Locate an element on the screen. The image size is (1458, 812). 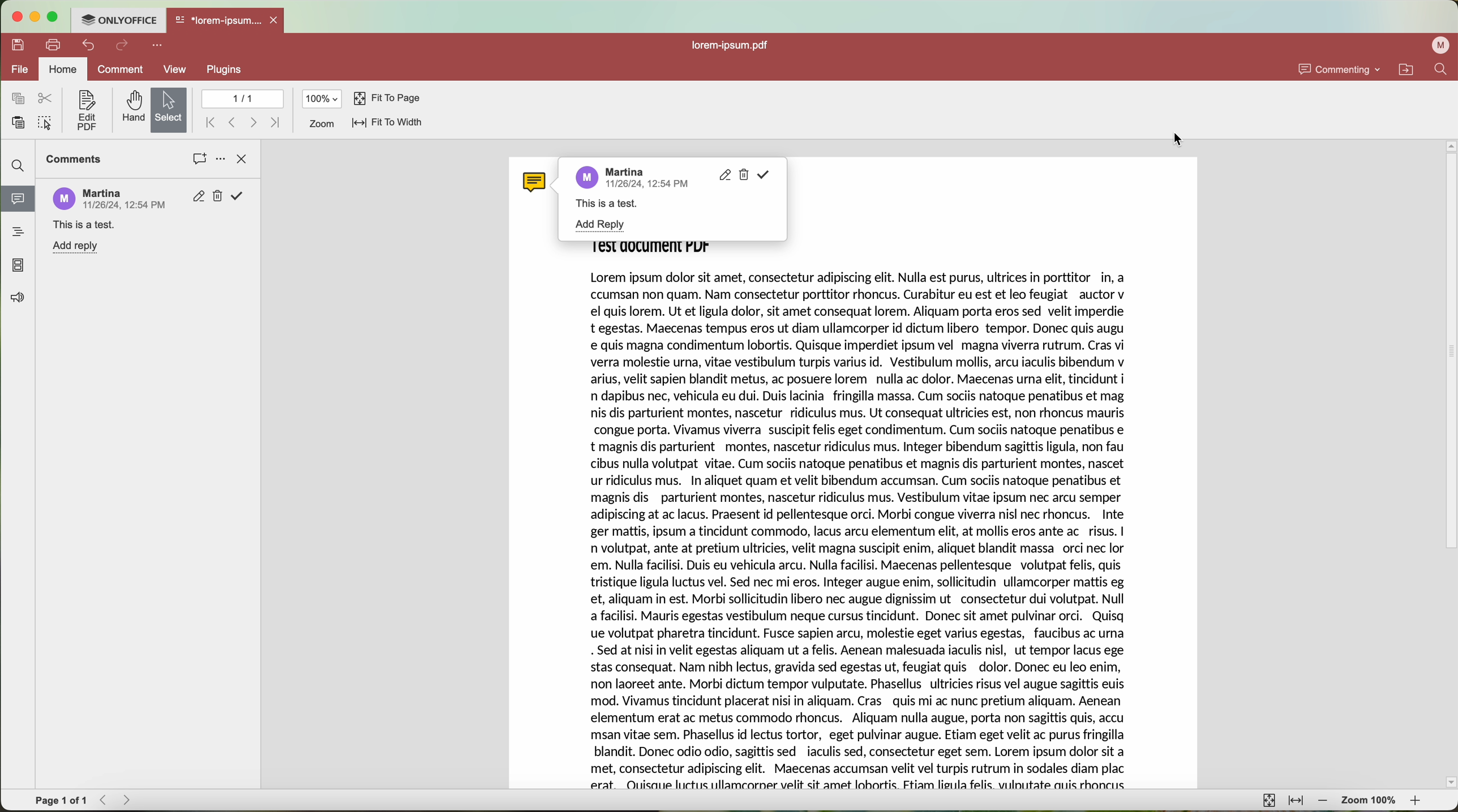
new comment is located at coordinates (80, 225).